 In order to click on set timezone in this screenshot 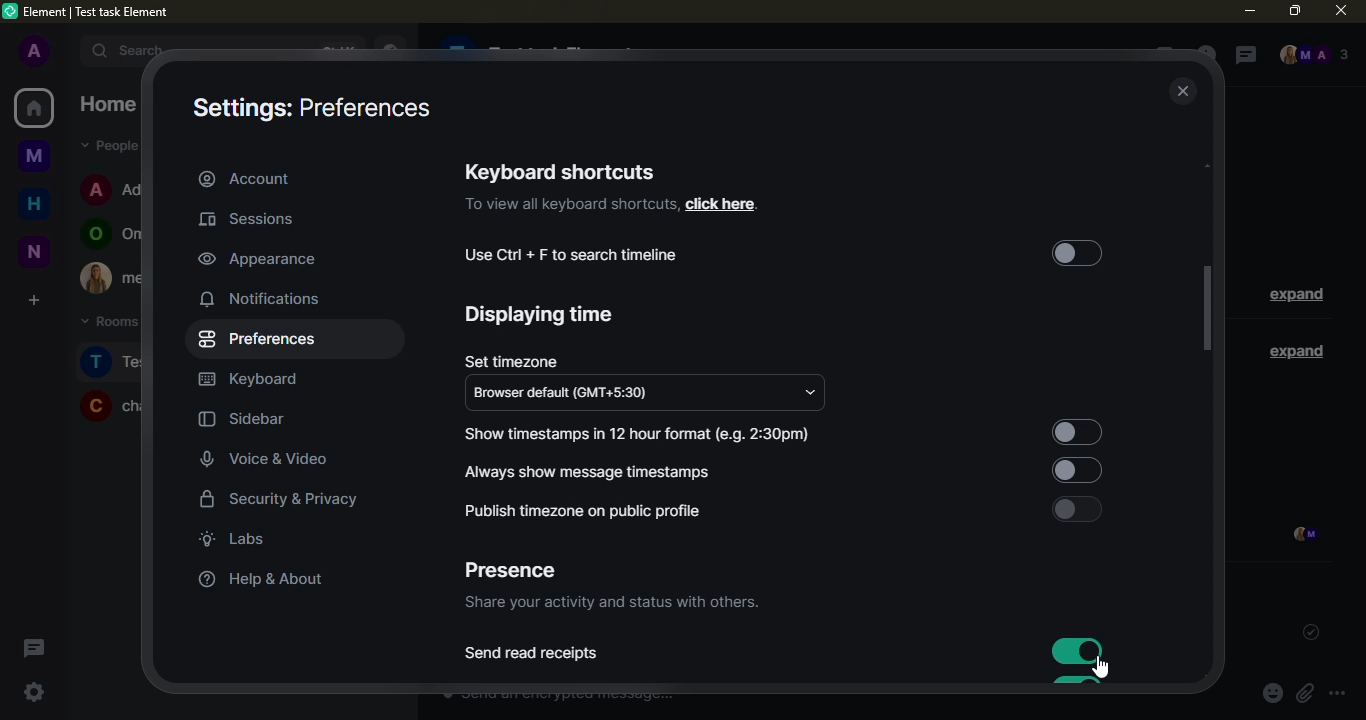, I will do `click(510, 361)`.